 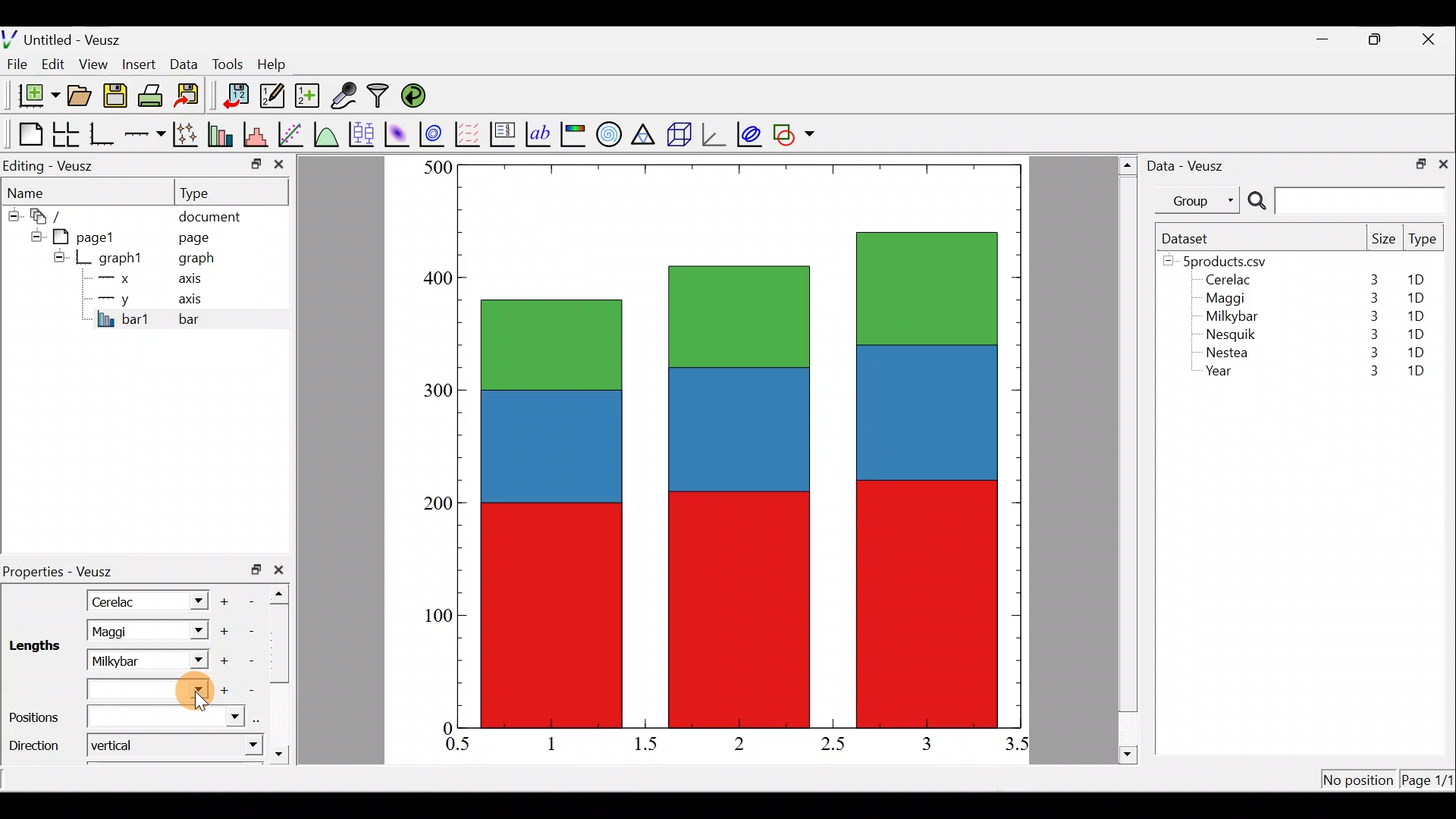 I want to click on Histogram of a dataset, so click(x=260, y=135).